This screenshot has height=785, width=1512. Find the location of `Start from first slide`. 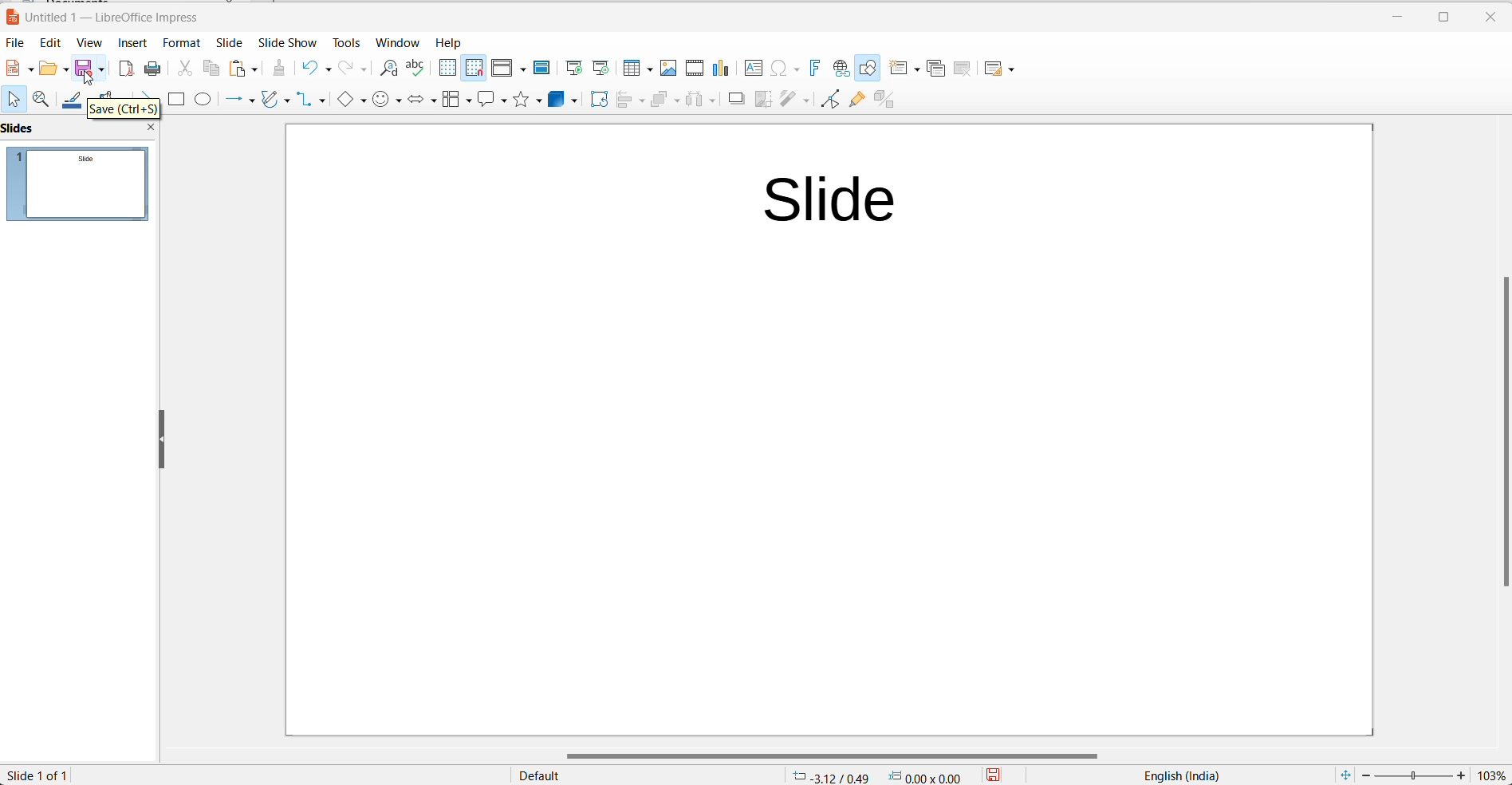

Start from first slide is located at coordinates (571, 68).